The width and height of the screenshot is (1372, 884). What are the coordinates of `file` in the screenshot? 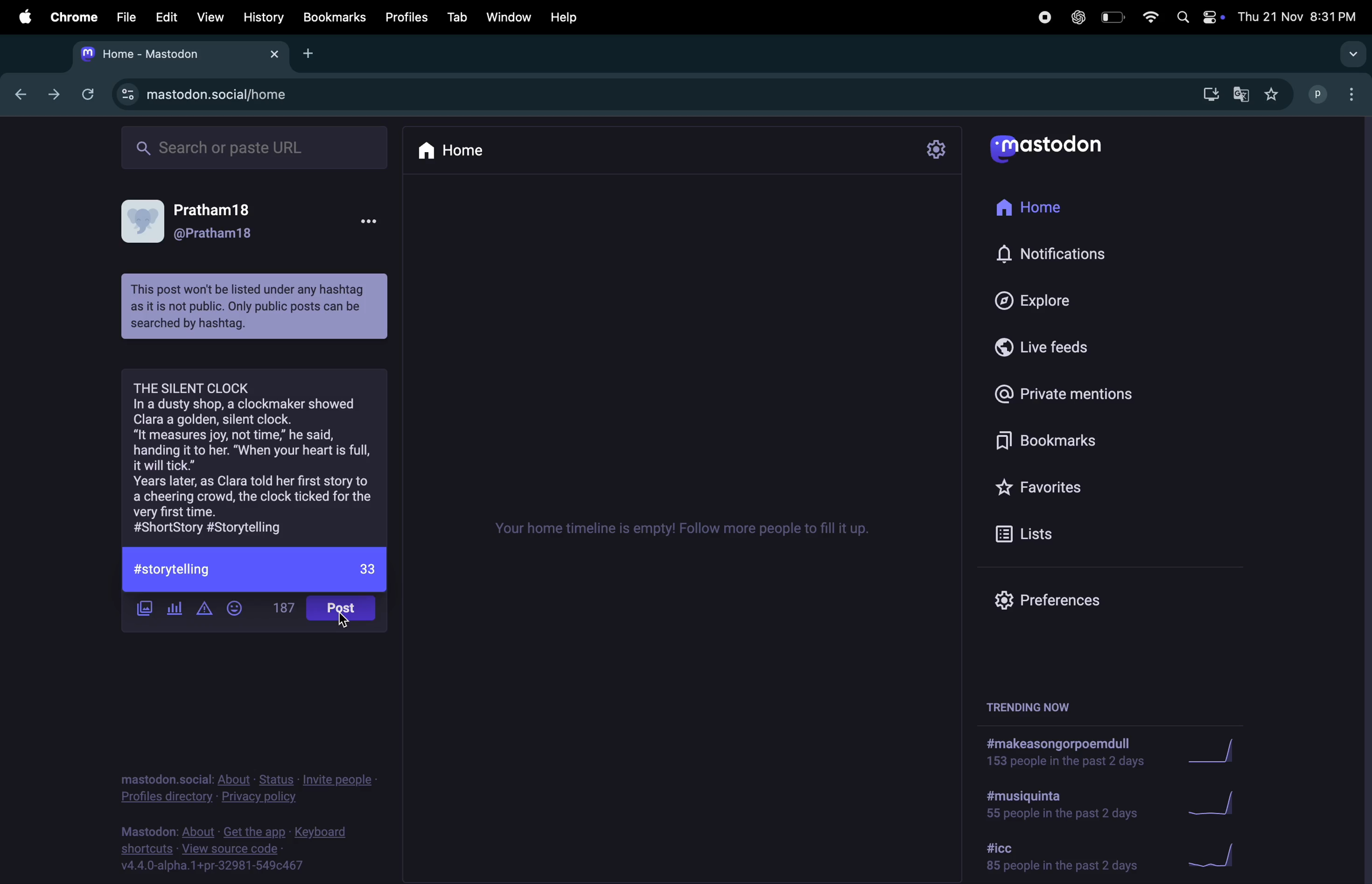 It's located at (127, 18).